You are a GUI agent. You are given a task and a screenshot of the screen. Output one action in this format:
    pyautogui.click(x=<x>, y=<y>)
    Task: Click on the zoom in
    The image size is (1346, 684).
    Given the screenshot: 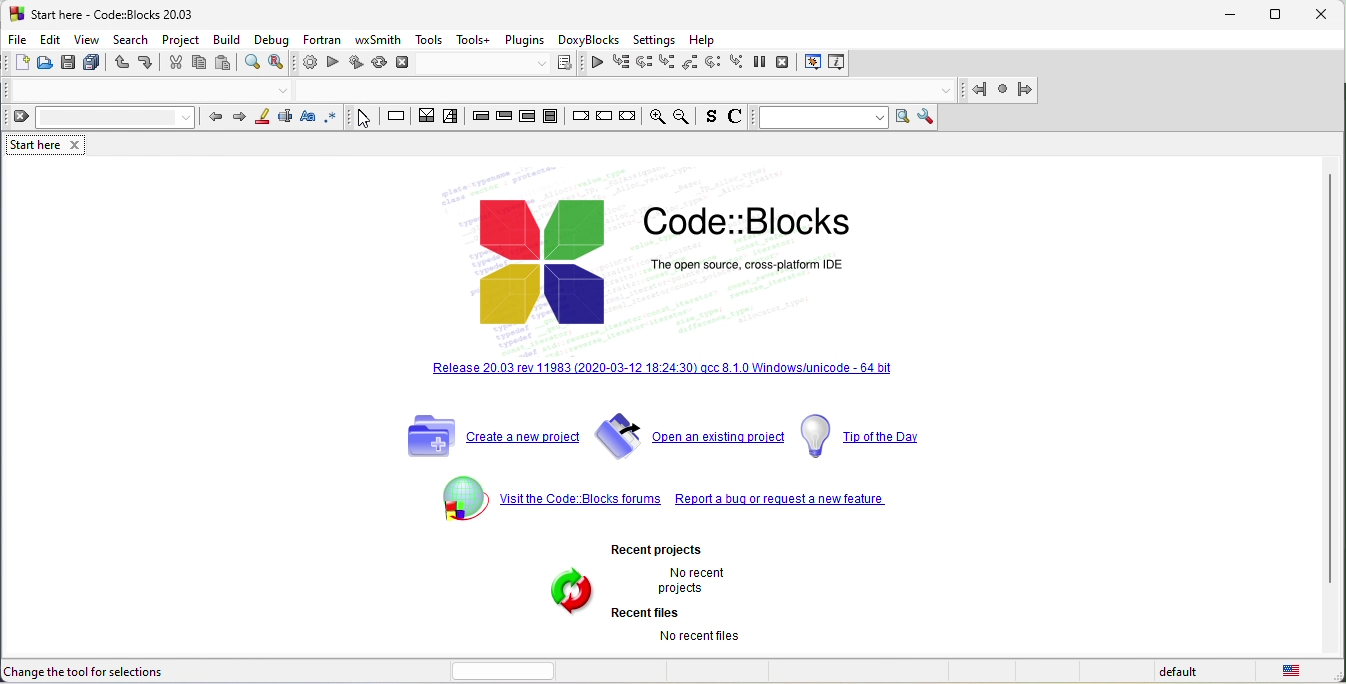 What is the action you would take?
    pyautogui.click(x=653, y=119)
    